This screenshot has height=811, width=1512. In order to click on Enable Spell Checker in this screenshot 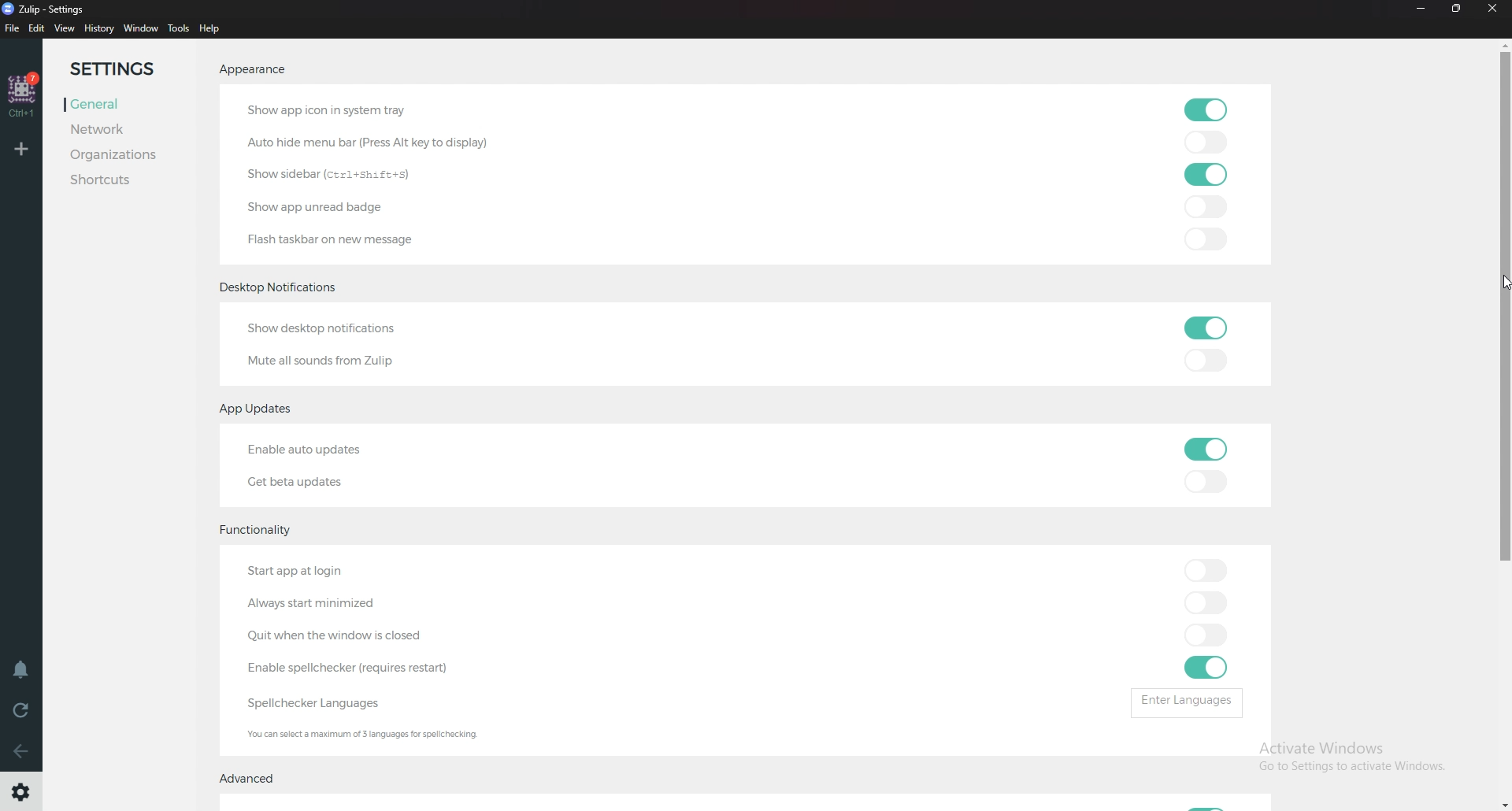, I will do `click(354, 668)`.